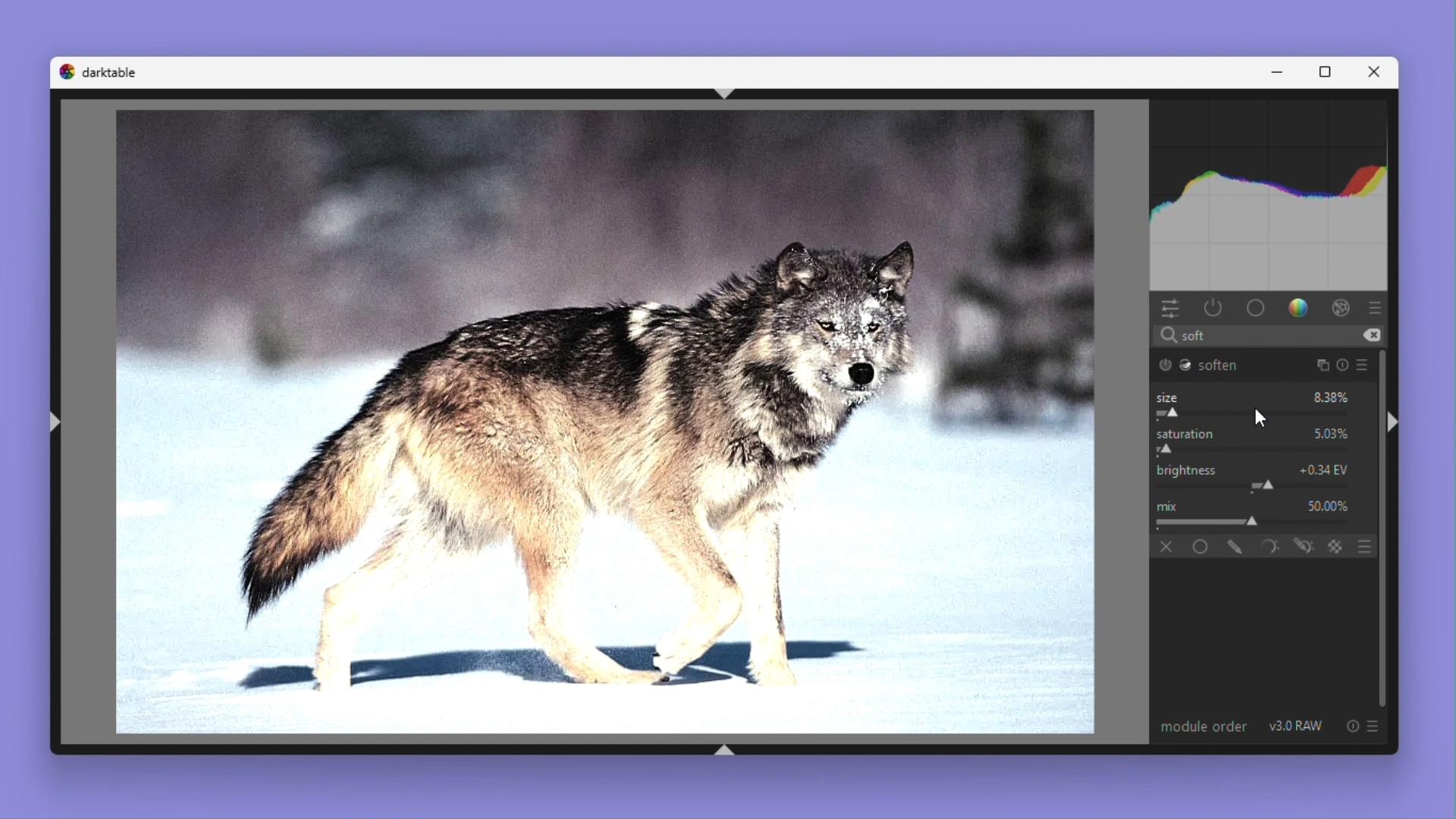 Image resolution: width=1456 pixels, height=819 pixels. I want to click on off, so click(1167, 547).